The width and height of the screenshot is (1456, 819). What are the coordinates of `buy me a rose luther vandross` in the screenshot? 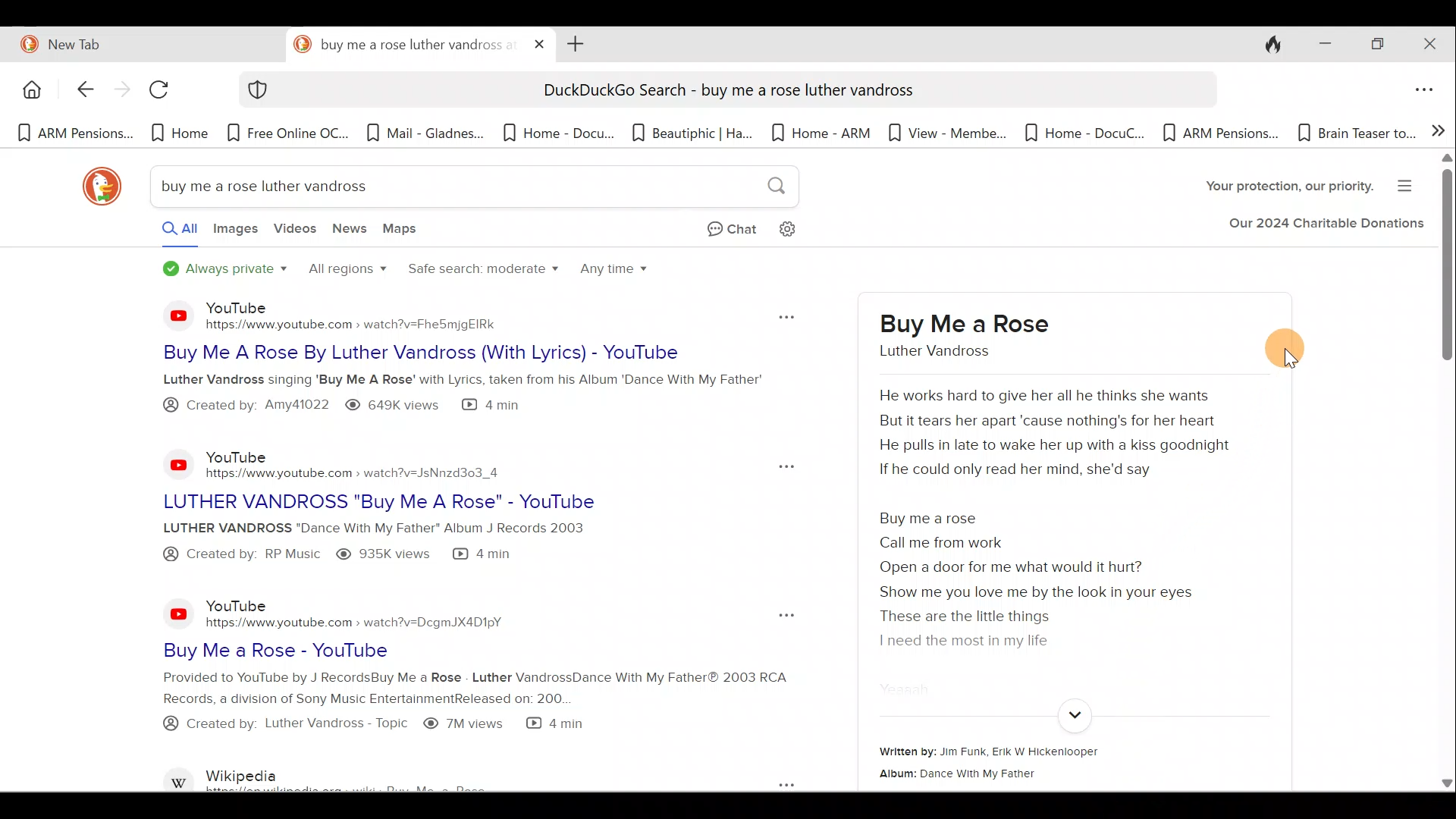 It's located at (470, 188).